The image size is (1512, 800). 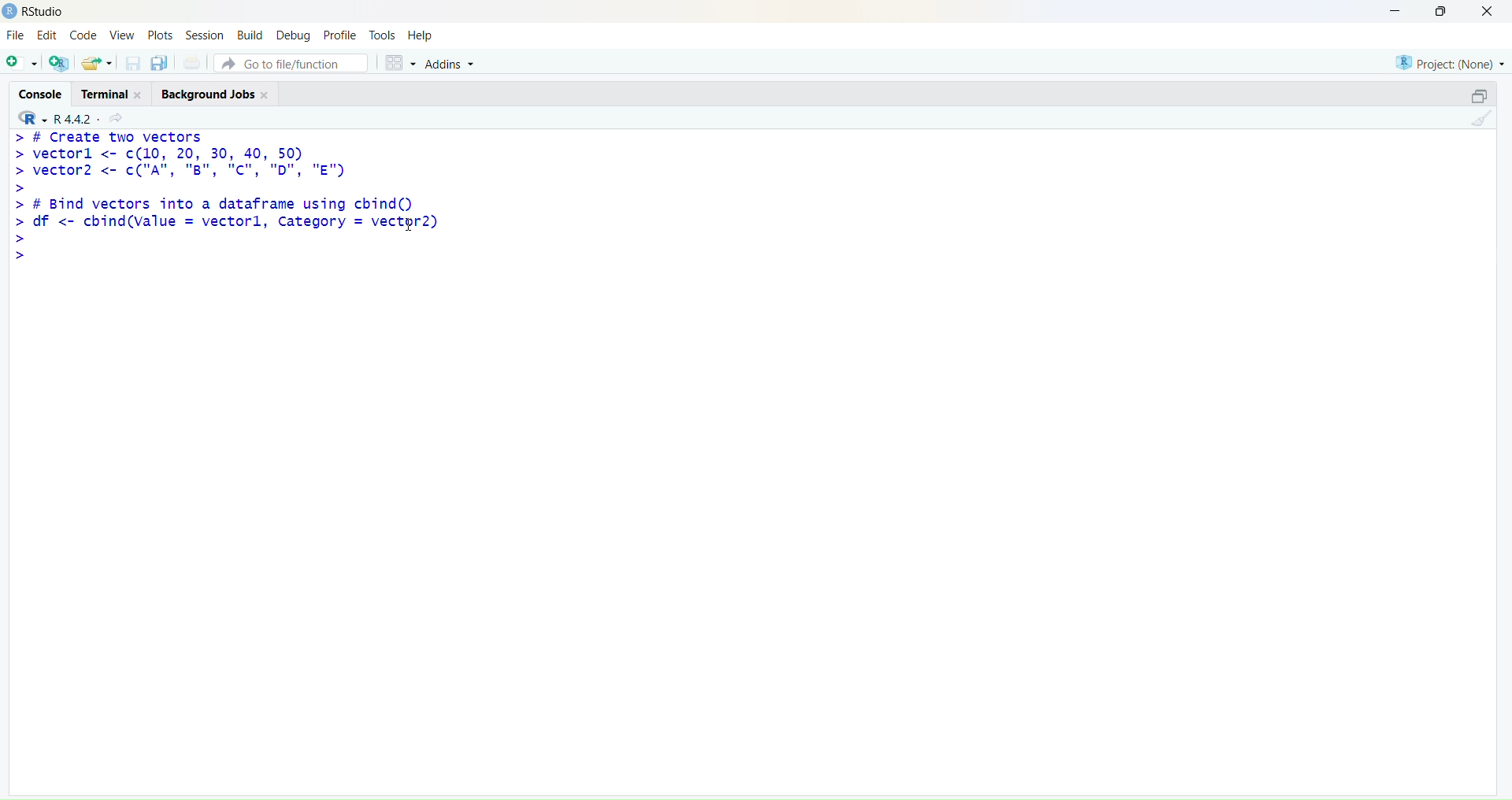 What do you see at coordinates (383, 35) in the screenshot?
I see `Tools` at bounding box center [383, 35].